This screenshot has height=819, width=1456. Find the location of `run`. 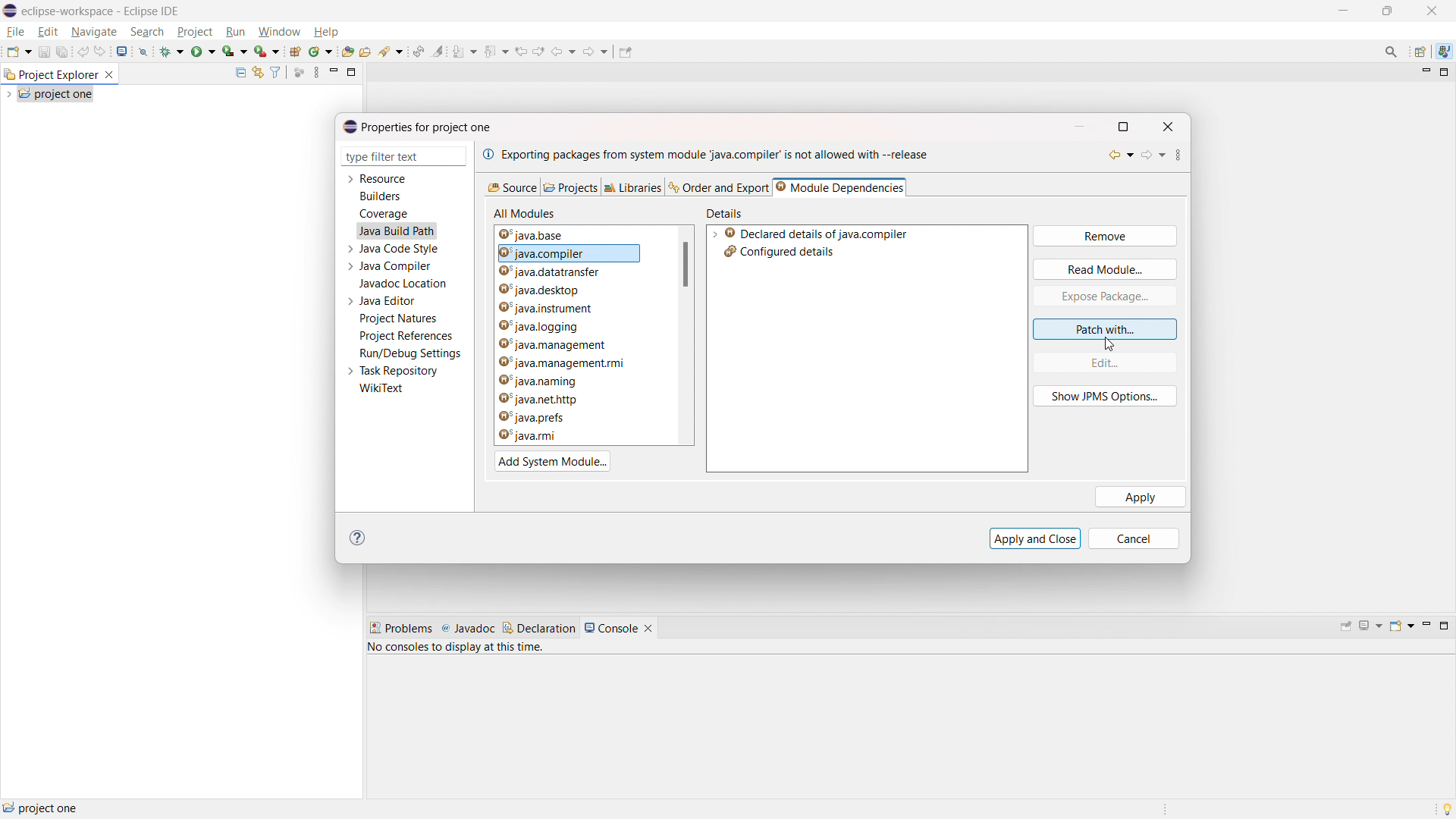

run is located at coordinates (236, 32).